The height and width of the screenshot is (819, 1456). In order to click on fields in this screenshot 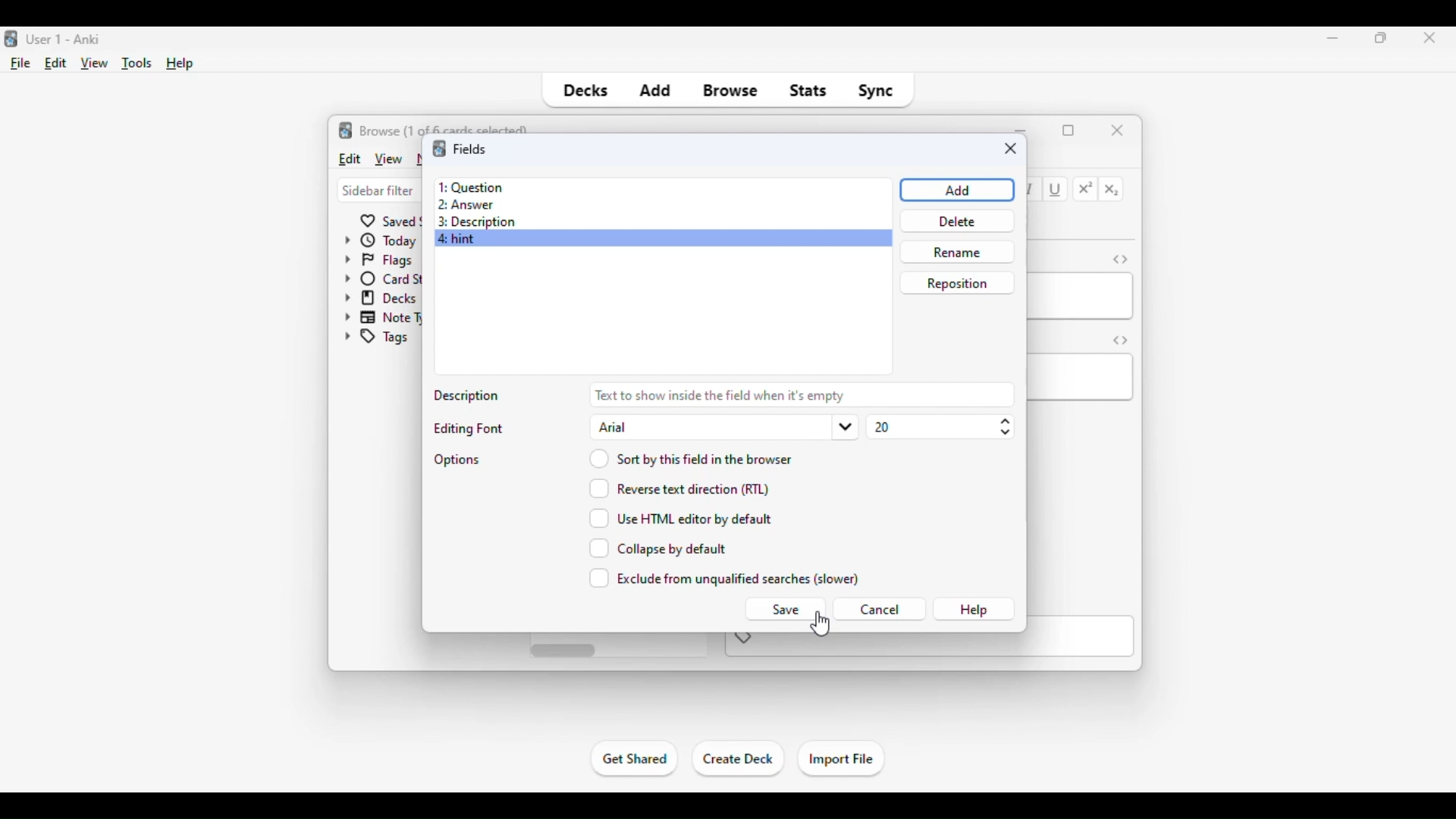, I will do `click(469, 148)`.